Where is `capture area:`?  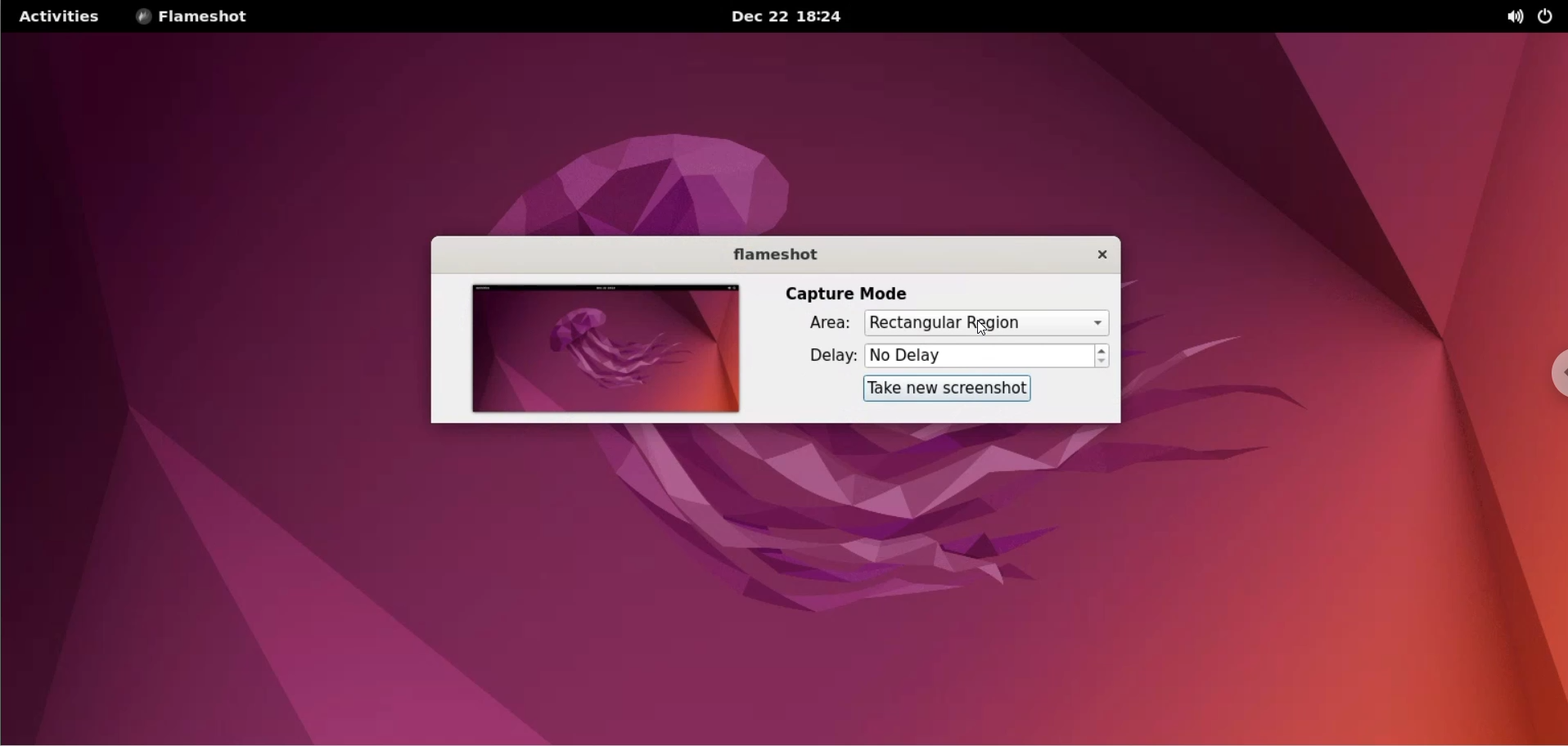 capture area: is located at coordinates (985, 323).